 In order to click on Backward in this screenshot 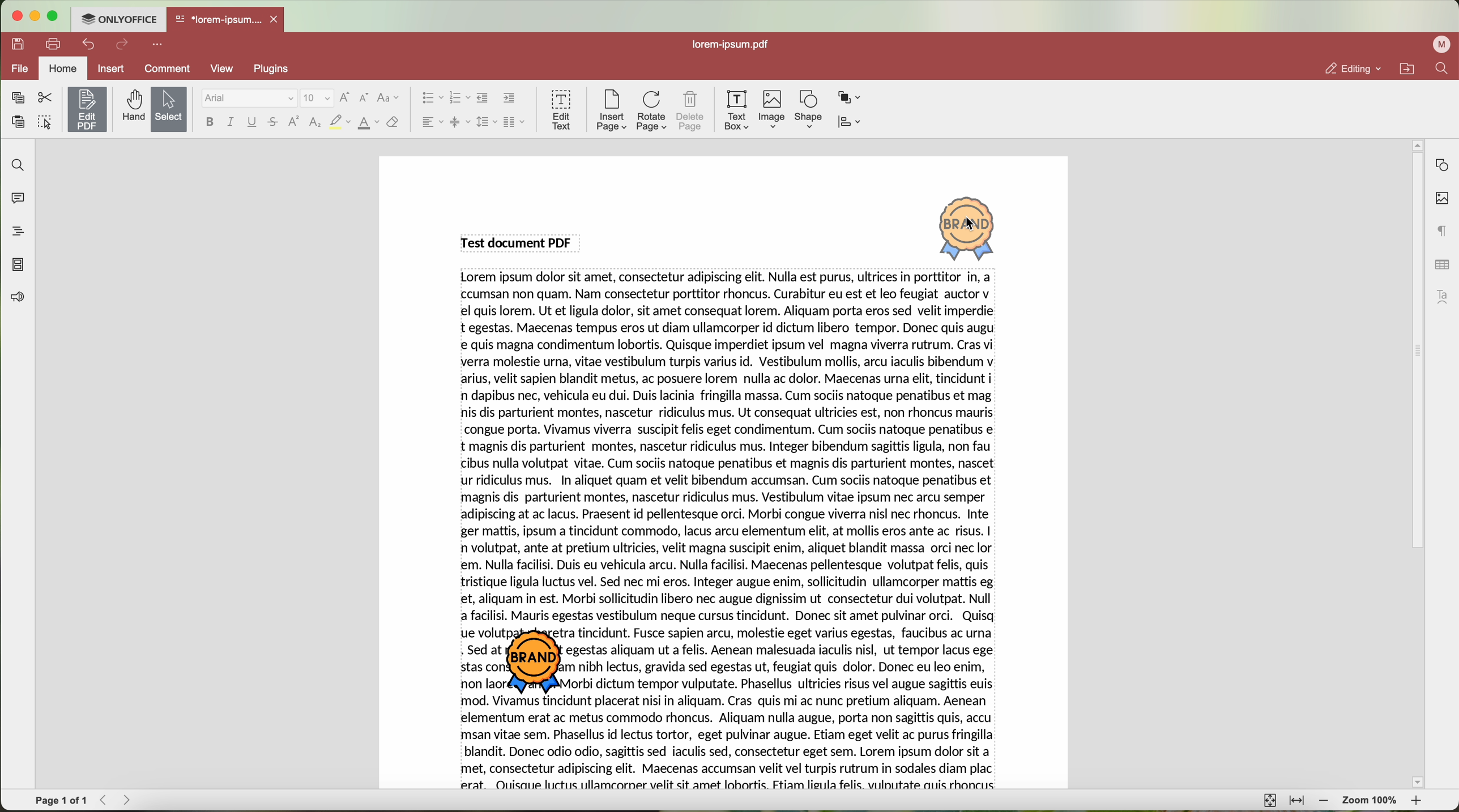, I will do `click(107, 800)`.